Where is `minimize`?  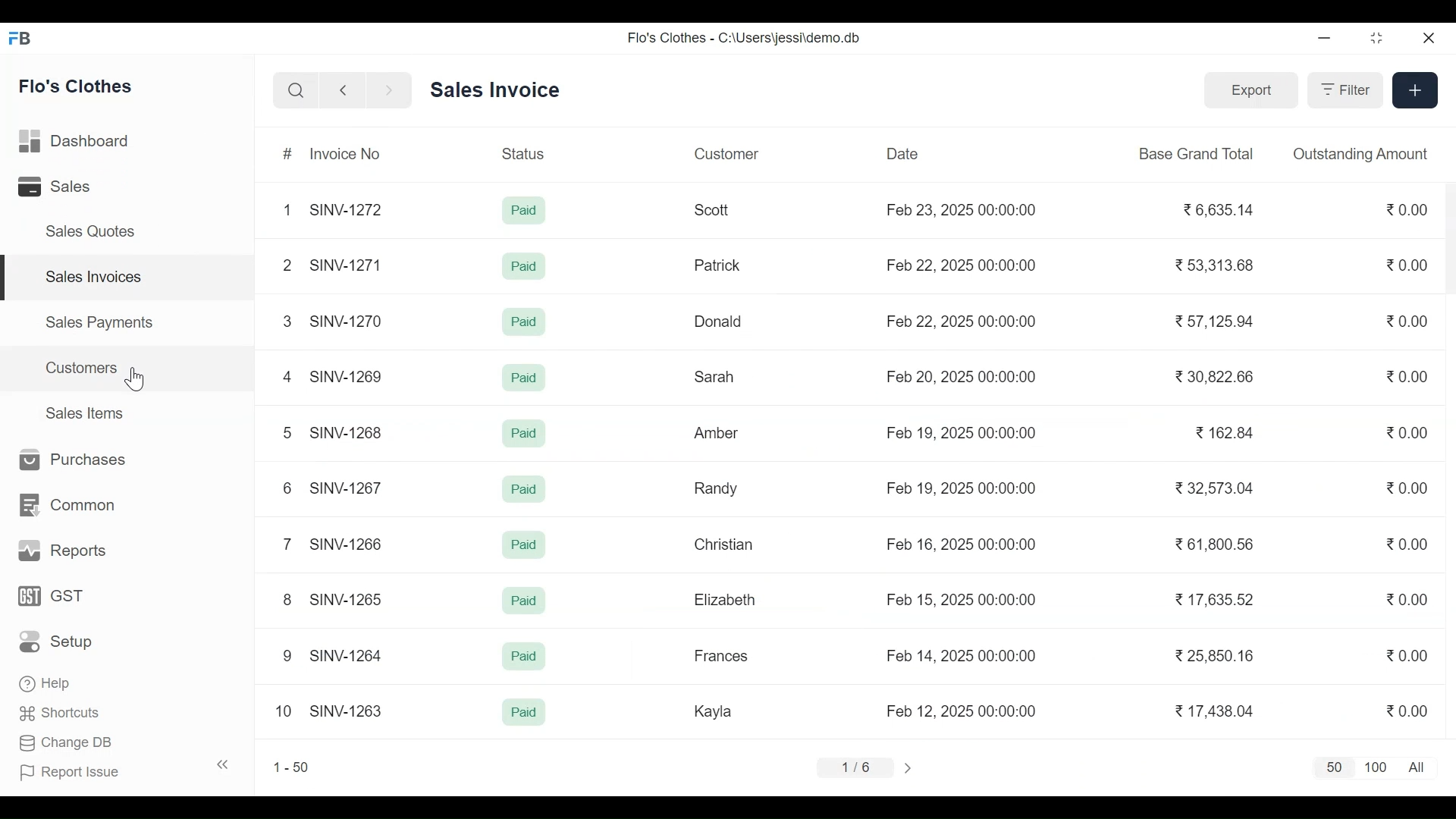
minimize is located at coordinates (1323, 37).